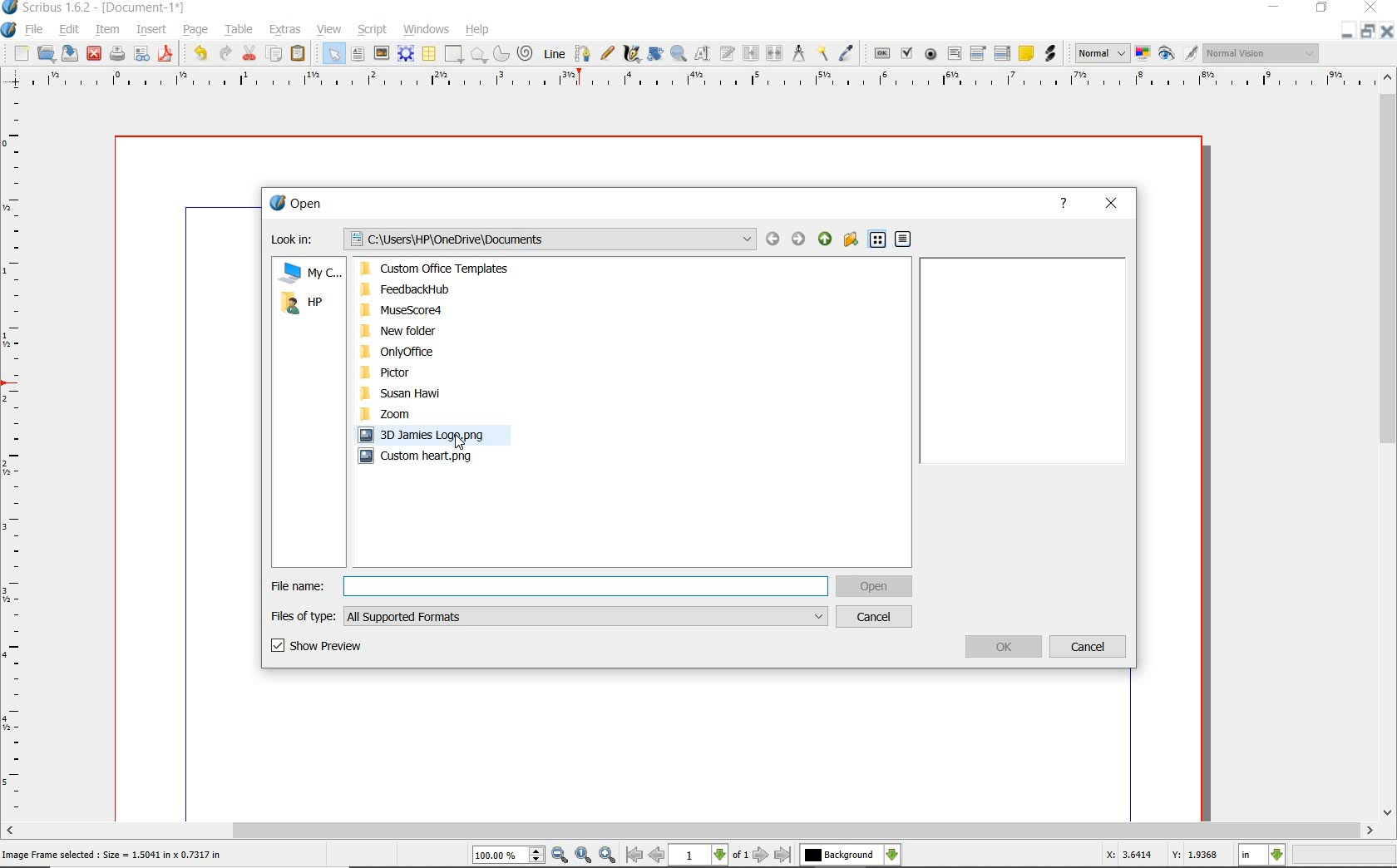 The height and width of the screenshot is (868, 1397). Describe the element at coordinates (200, 53) in the screenshot. I see `undo` at that location.